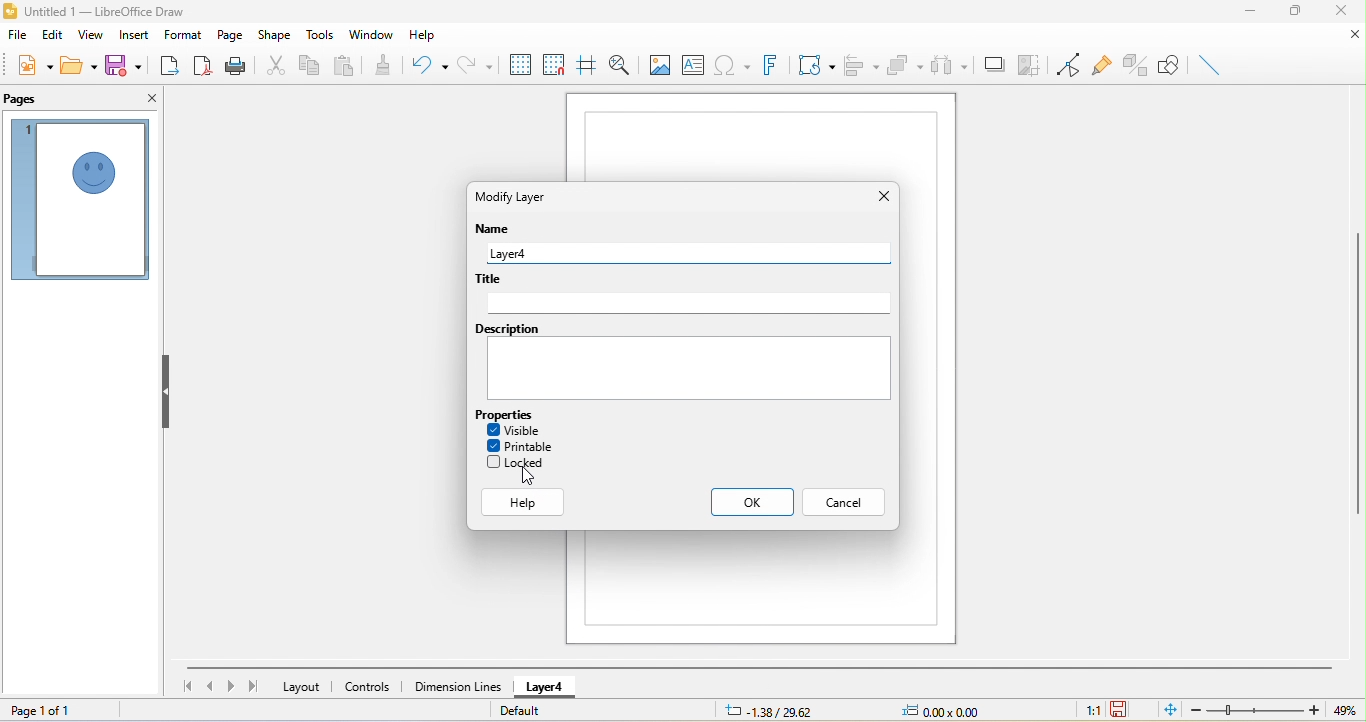 The width and height of the screenshot is (1366, 722). I want to click on shadow, so click(993, 64).